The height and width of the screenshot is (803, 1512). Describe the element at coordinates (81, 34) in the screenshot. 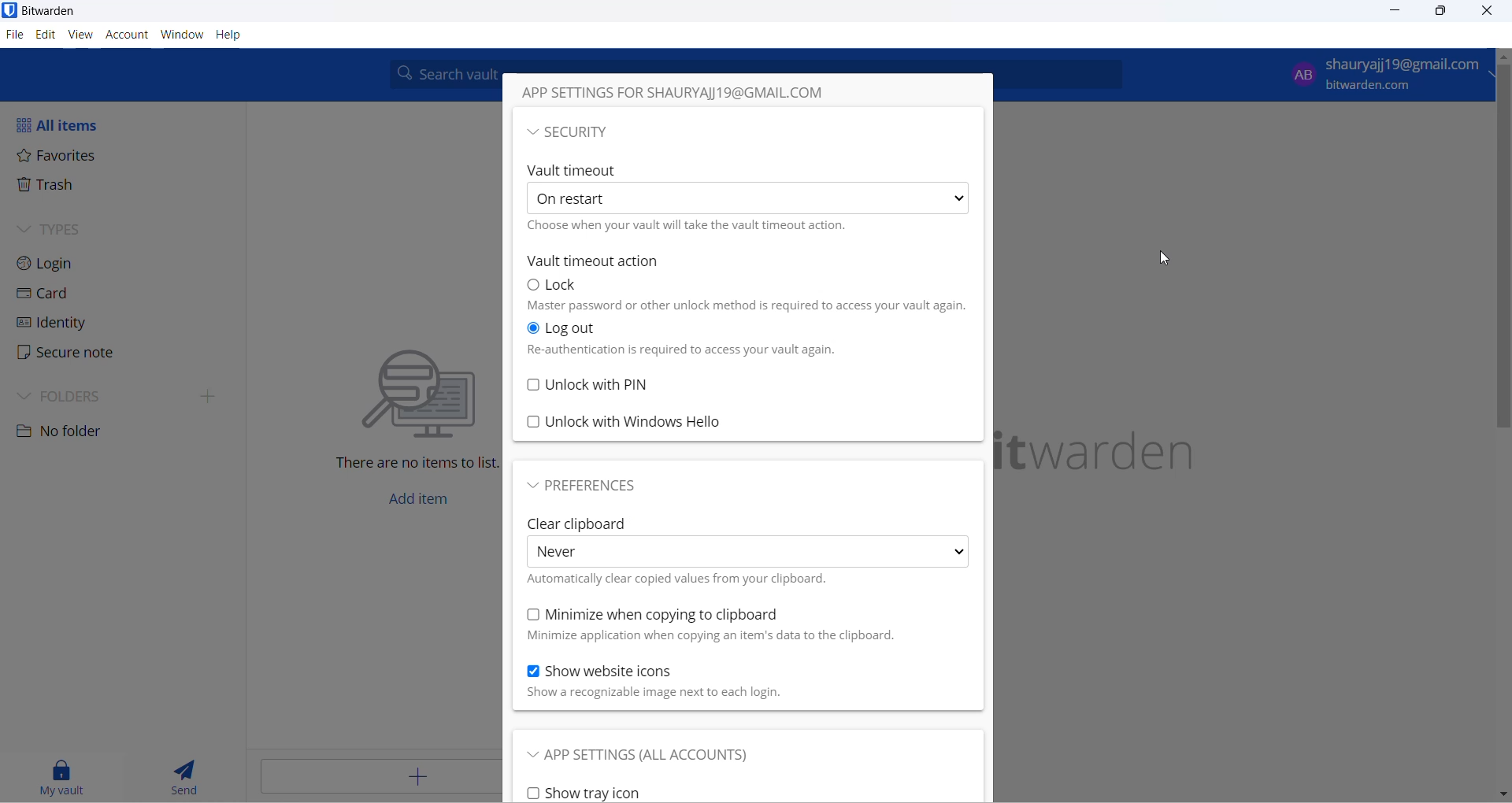

I see `view` at that location.